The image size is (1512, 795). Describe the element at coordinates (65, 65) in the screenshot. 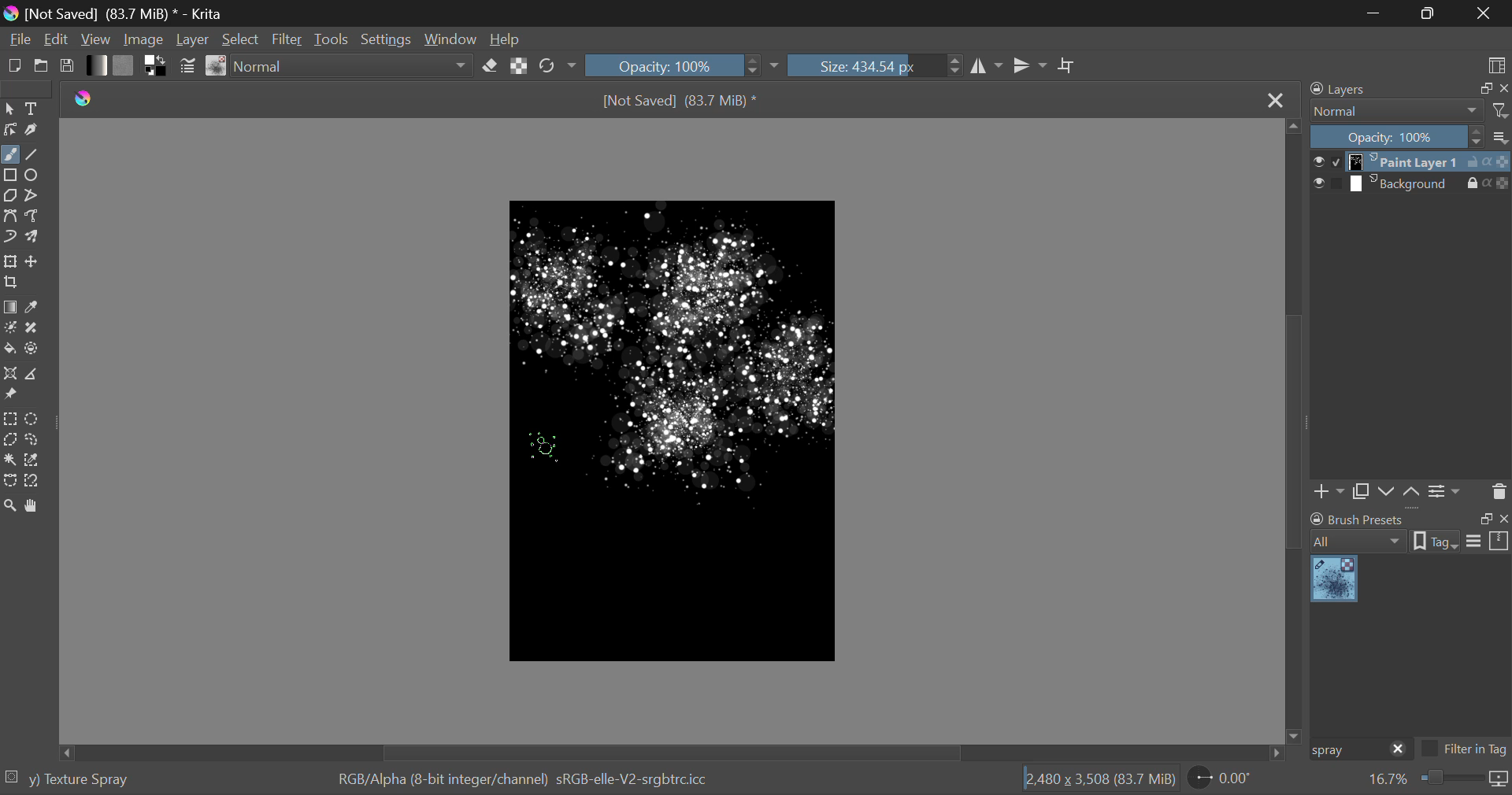

I see `Save` at that location.